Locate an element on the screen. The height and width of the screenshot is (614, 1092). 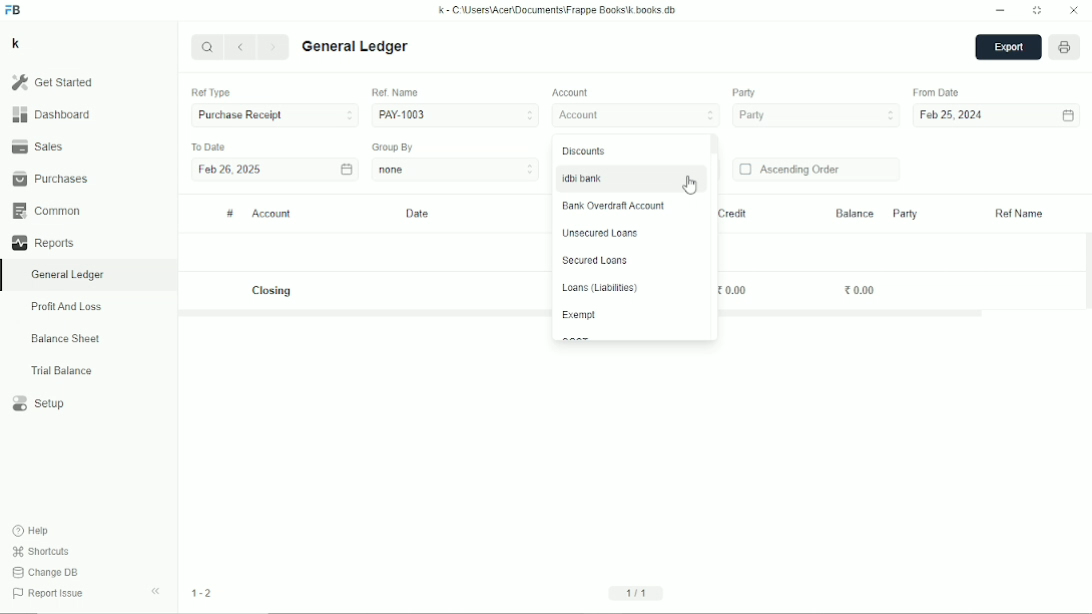
Party is located at coordinates (744, 93).